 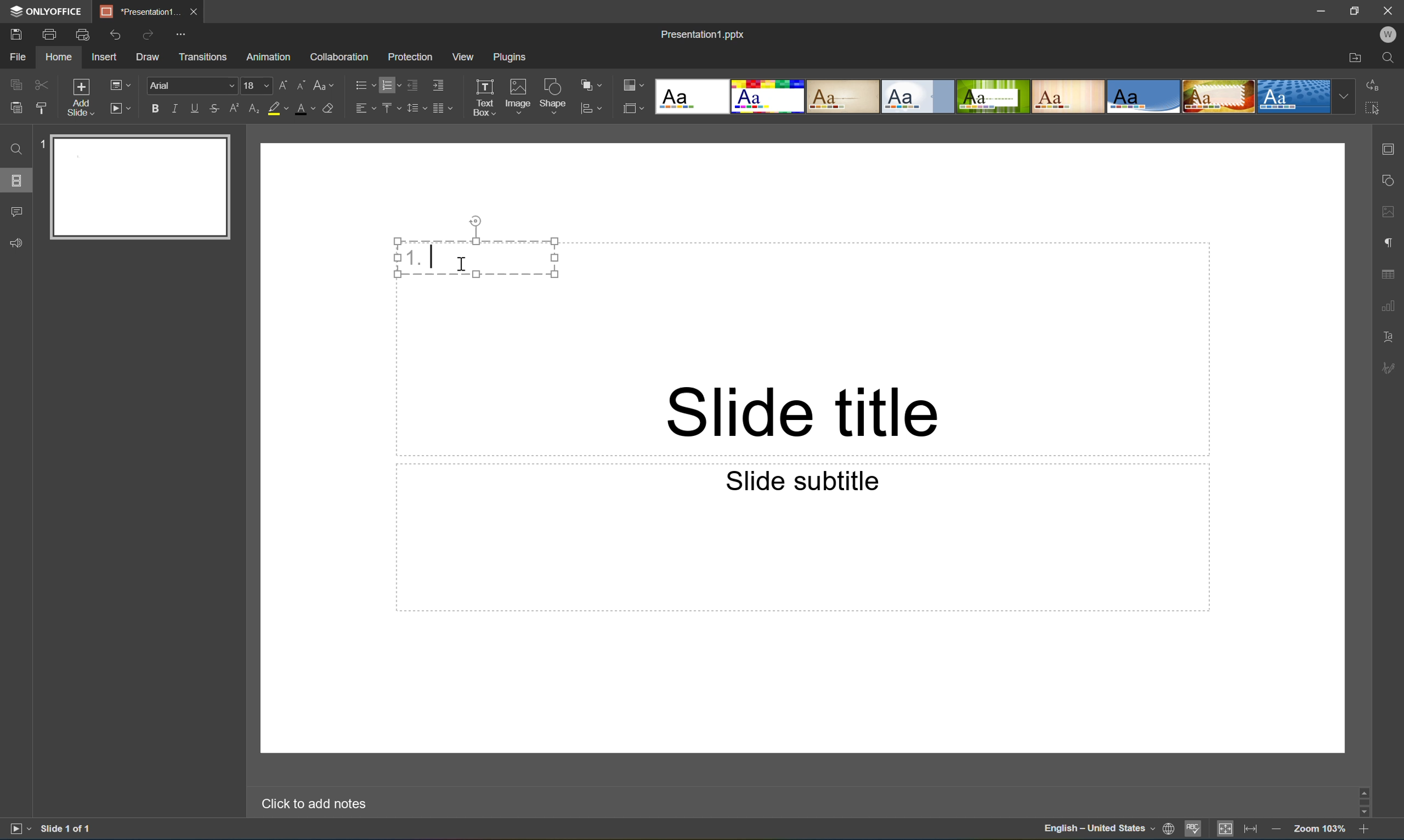 What do you see at coordinates (320, 85) in the screenshot?
I see `Change case` at bounding box center [320, 85].